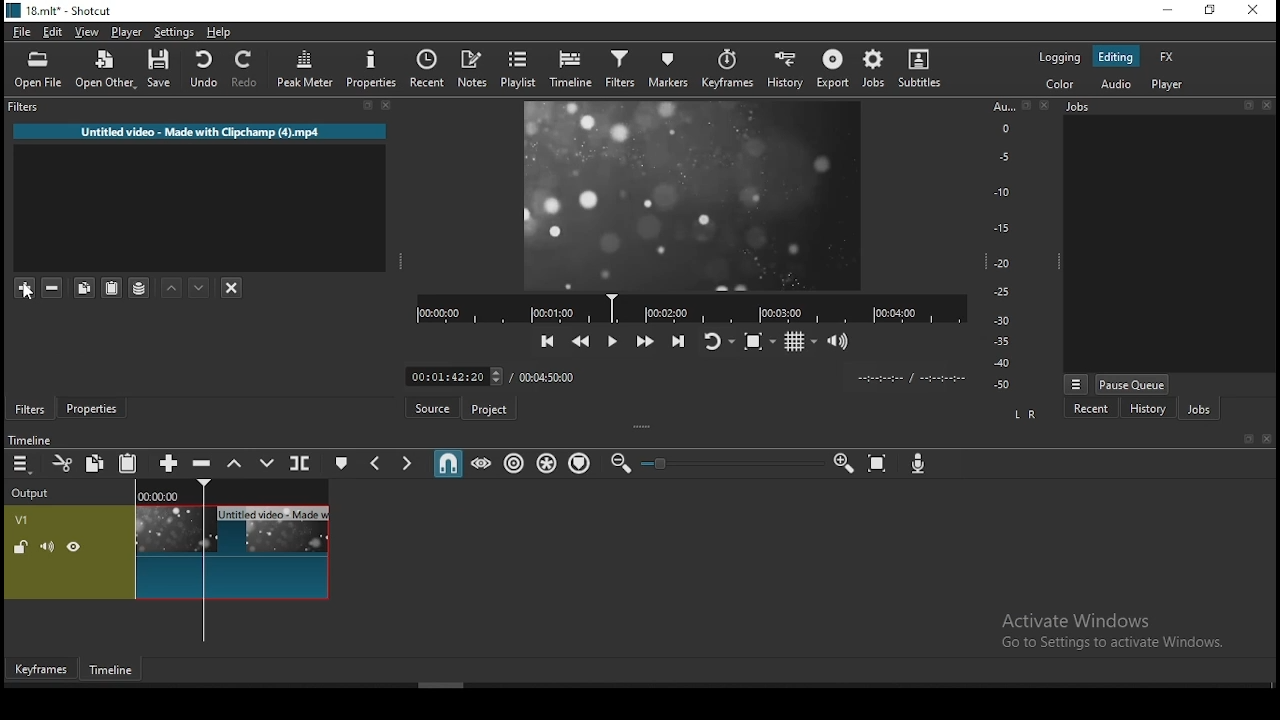  What do you see at coordinates (204, 464) in the screenshot?
I see `ripple delete` at bounding box center [204, 464].